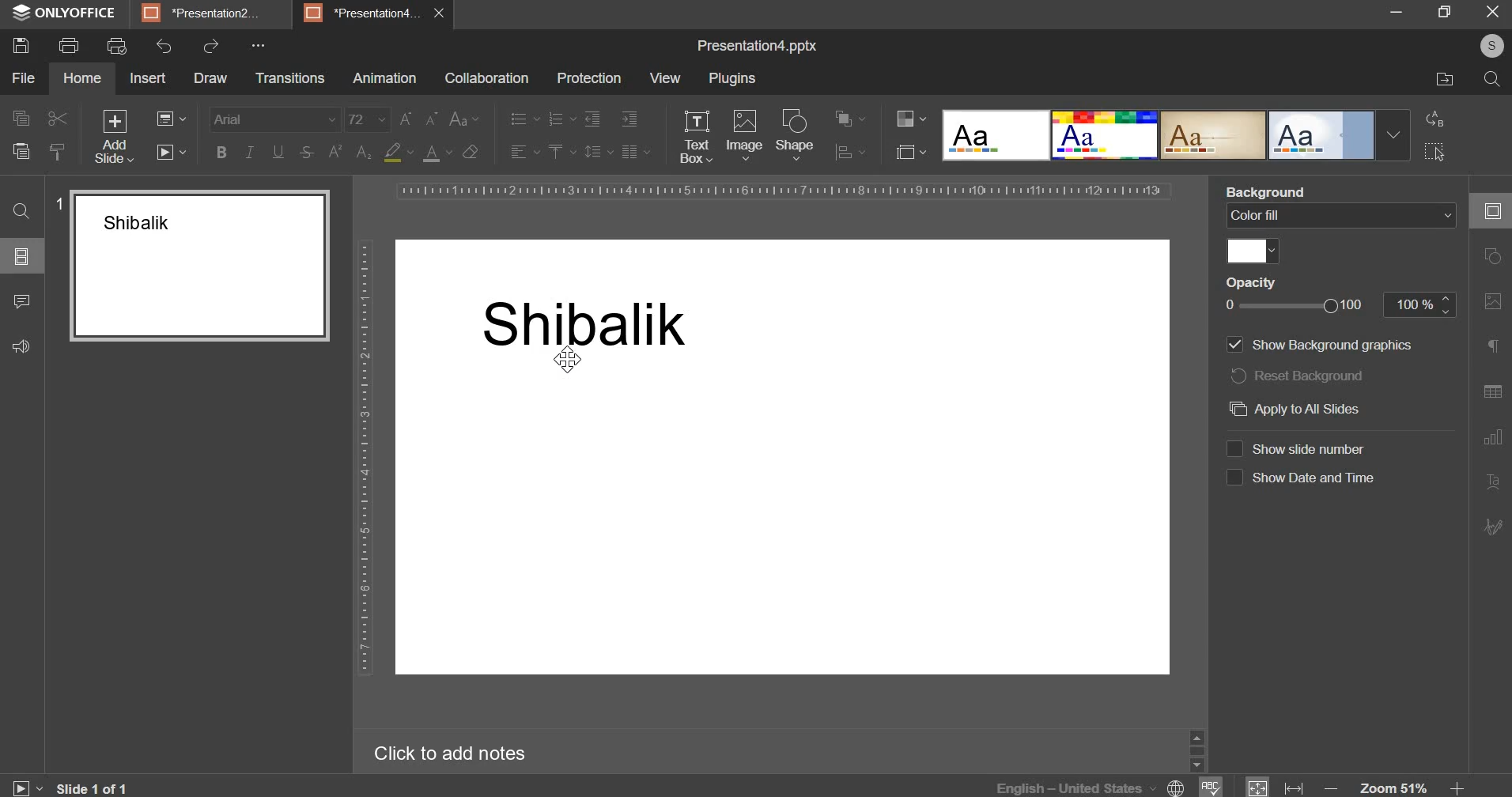 The width and height of the screenshot is (1512, 797). I want to click on vertical alignment, so click(561, 152).